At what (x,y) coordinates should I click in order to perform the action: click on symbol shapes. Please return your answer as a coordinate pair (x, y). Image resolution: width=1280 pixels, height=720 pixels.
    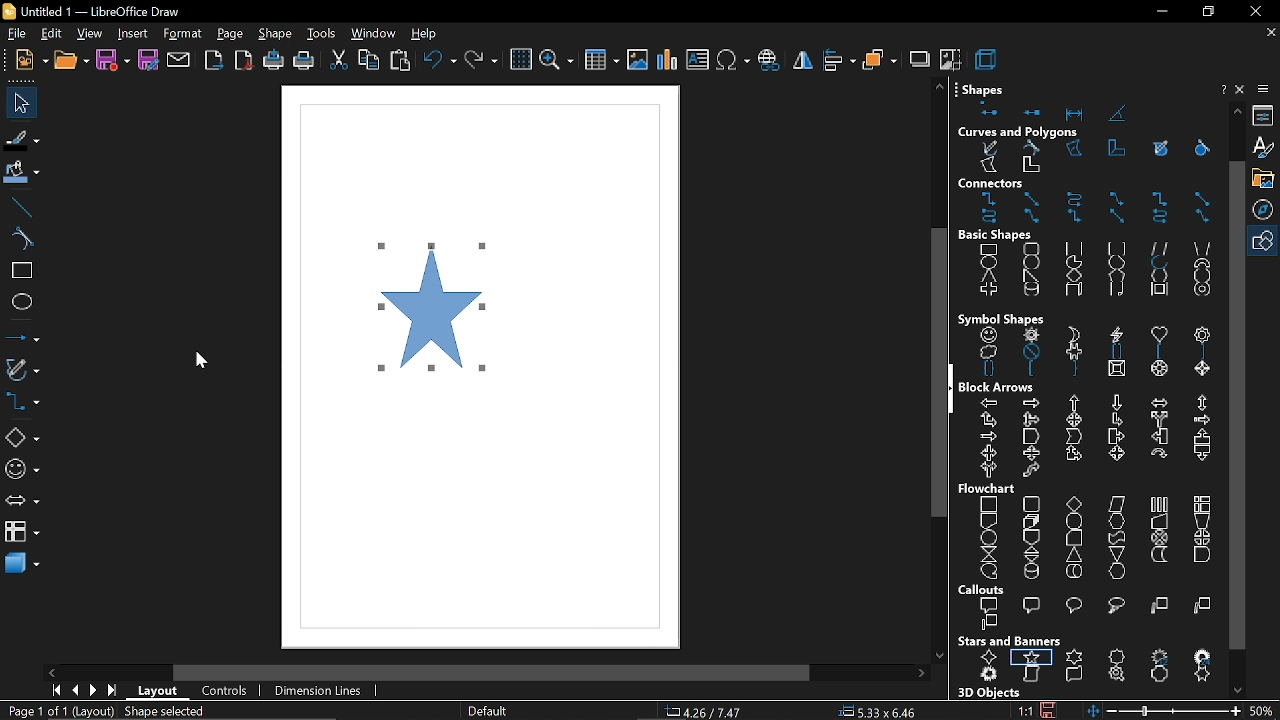
    Looking at the image, I should click on (1005, 315).